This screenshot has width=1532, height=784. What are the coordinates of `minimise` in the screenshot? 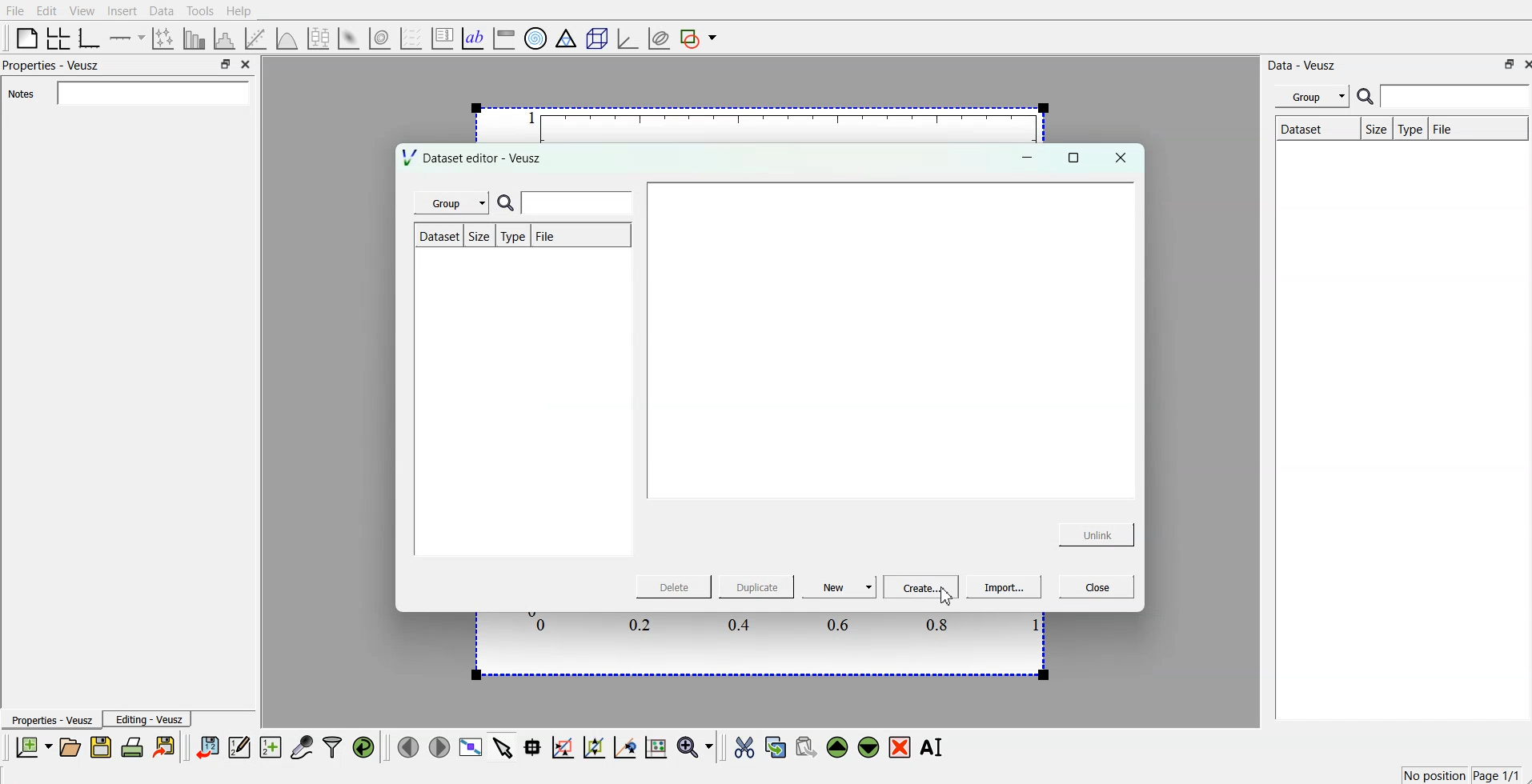 It's located at (1025, 157).